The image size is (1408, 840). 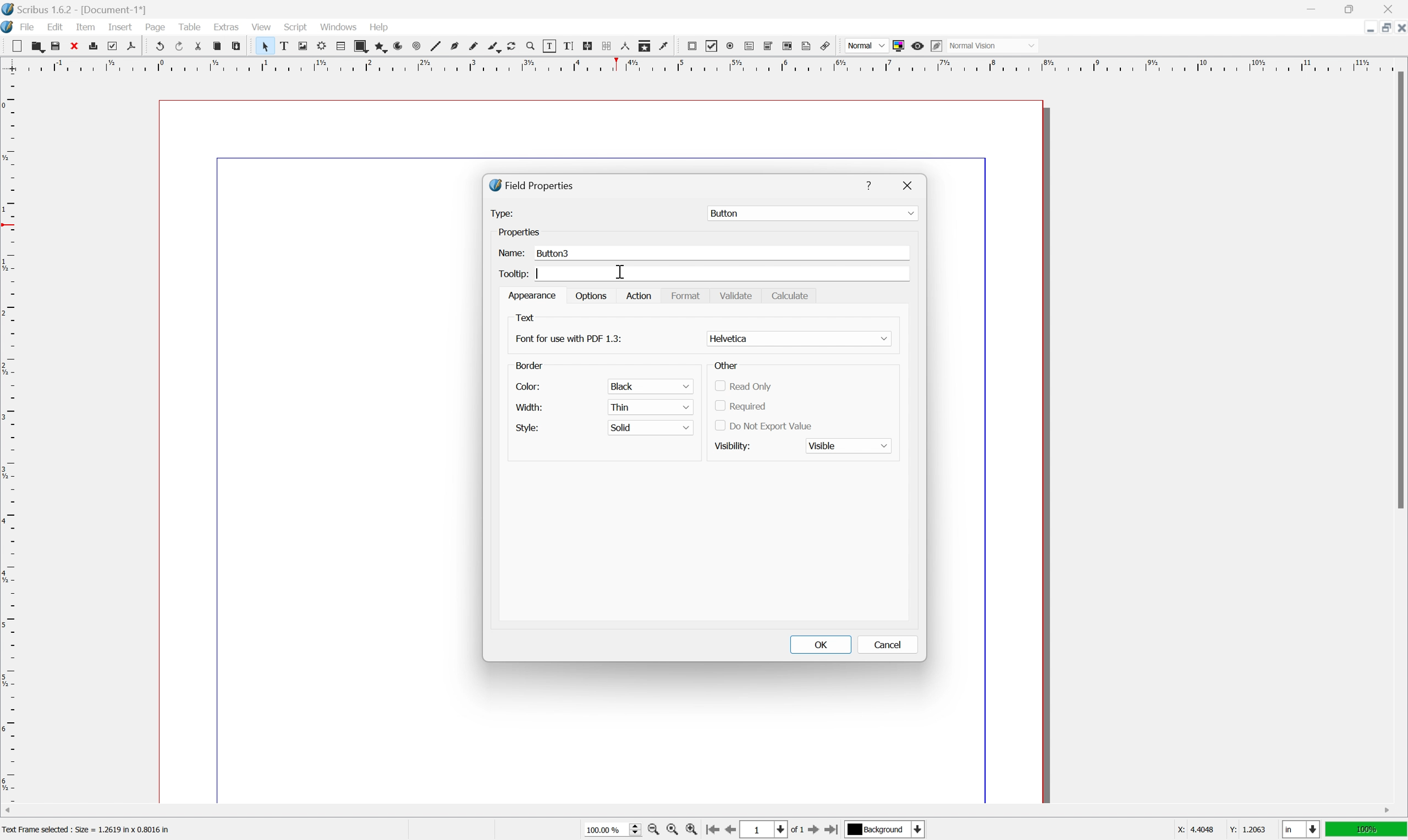 I want to click on Background, so click(x=884, y=830).